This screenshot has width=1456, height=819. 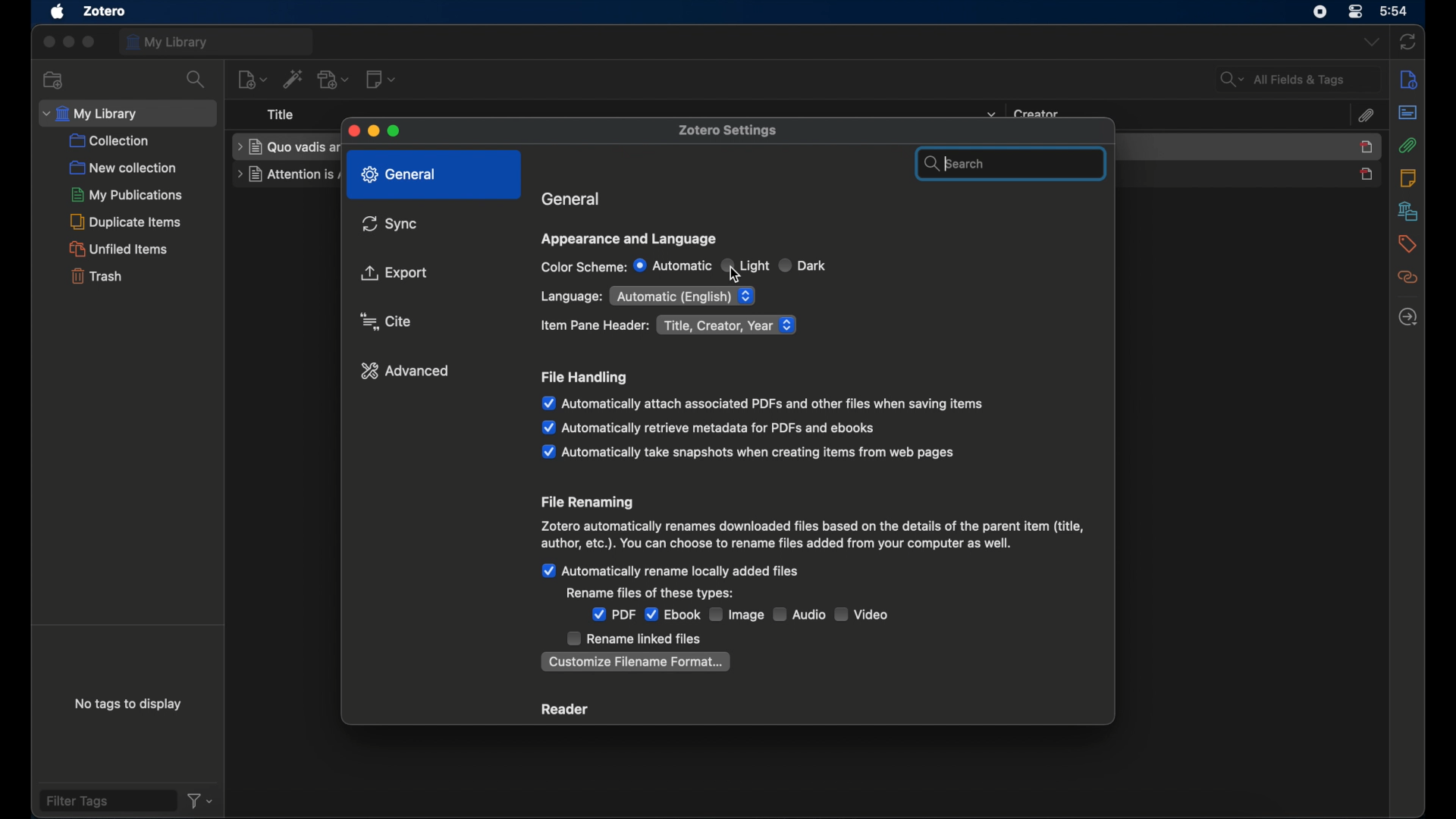 What do you see at coordinates (1407, 41) in the screenshot?
I see `sync` at bounding box center [1407, 41].